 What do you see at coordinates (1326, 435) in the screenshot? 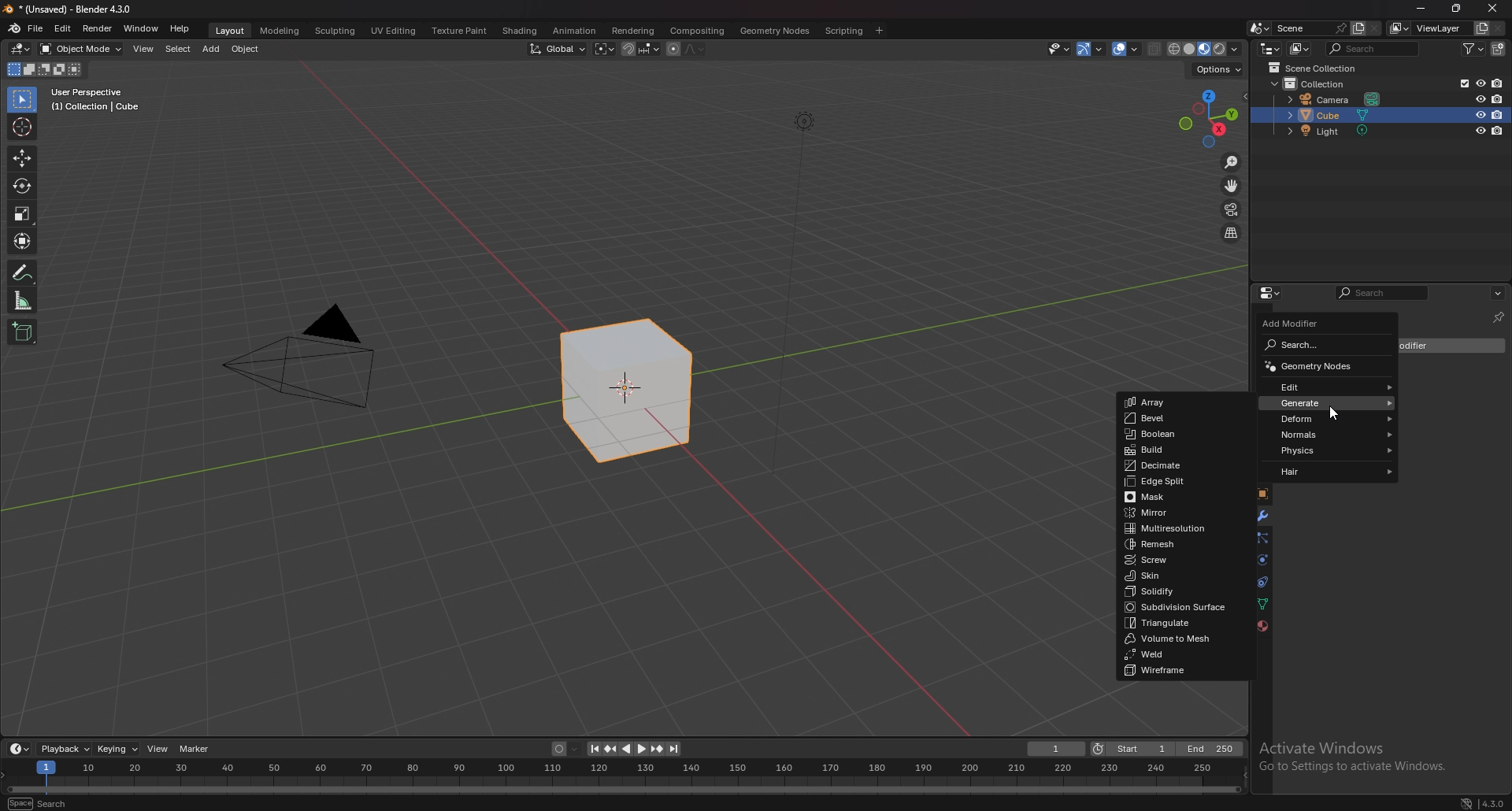
I see `normals` at bounding box center [1326, 435].